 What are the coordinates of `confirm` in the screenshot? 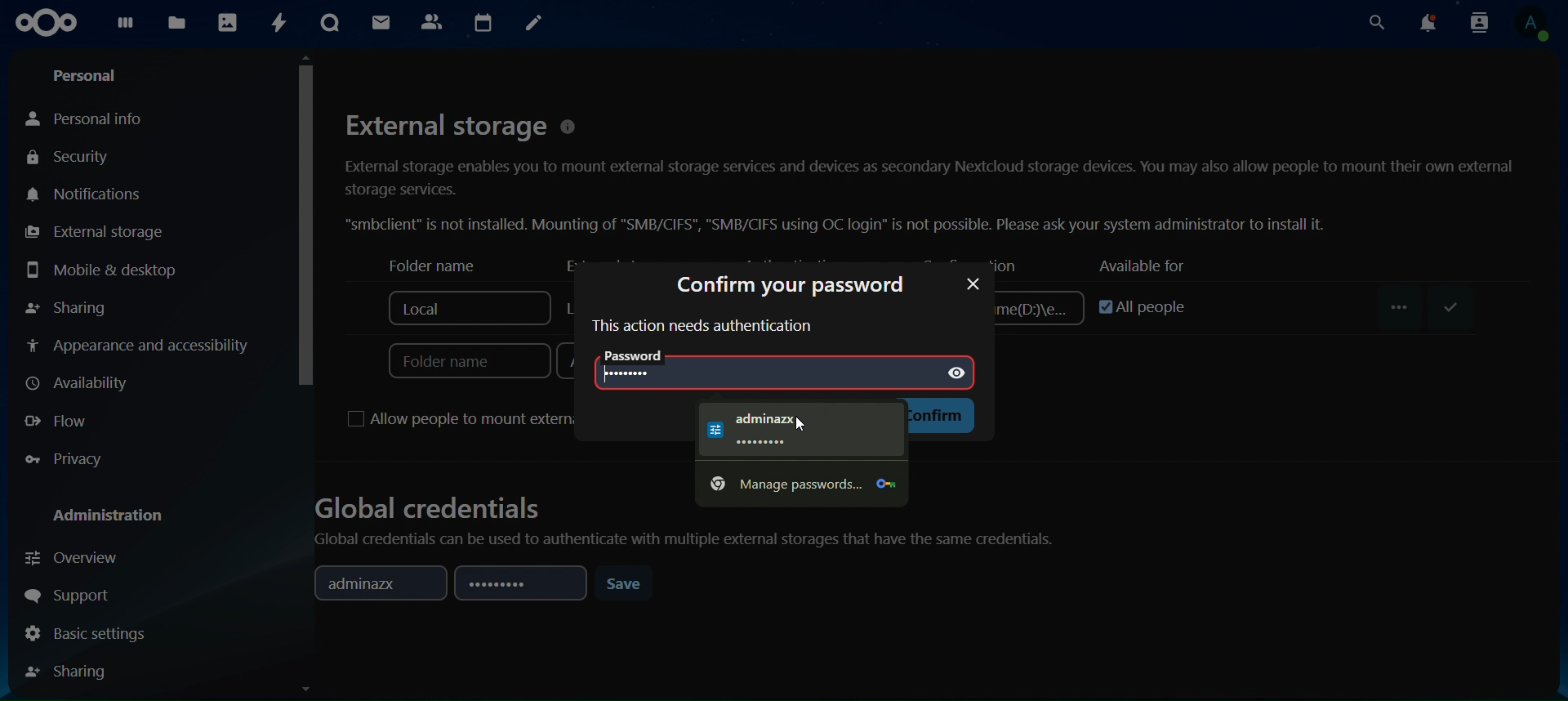 It's located at (2024, 902).